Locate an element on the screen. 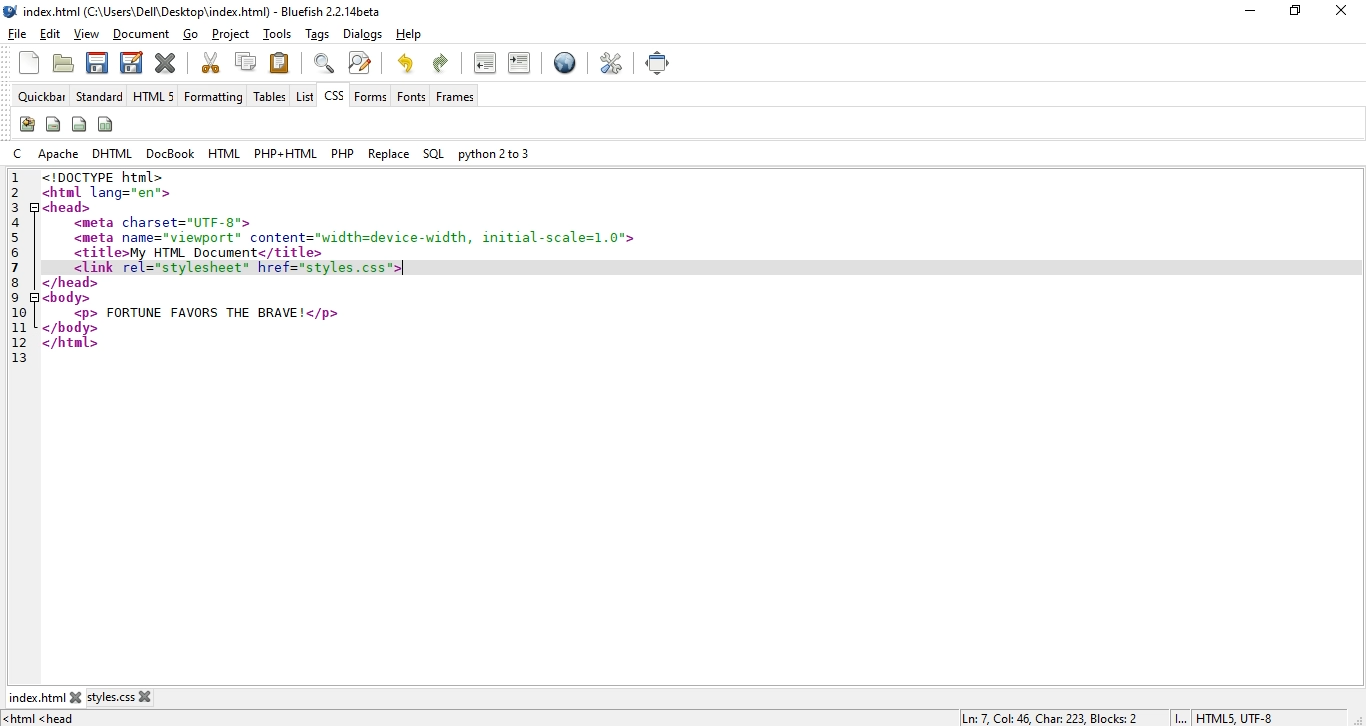 The height and width of the screenshot is (726, 1366). pache is located at coordinates (59, 153).